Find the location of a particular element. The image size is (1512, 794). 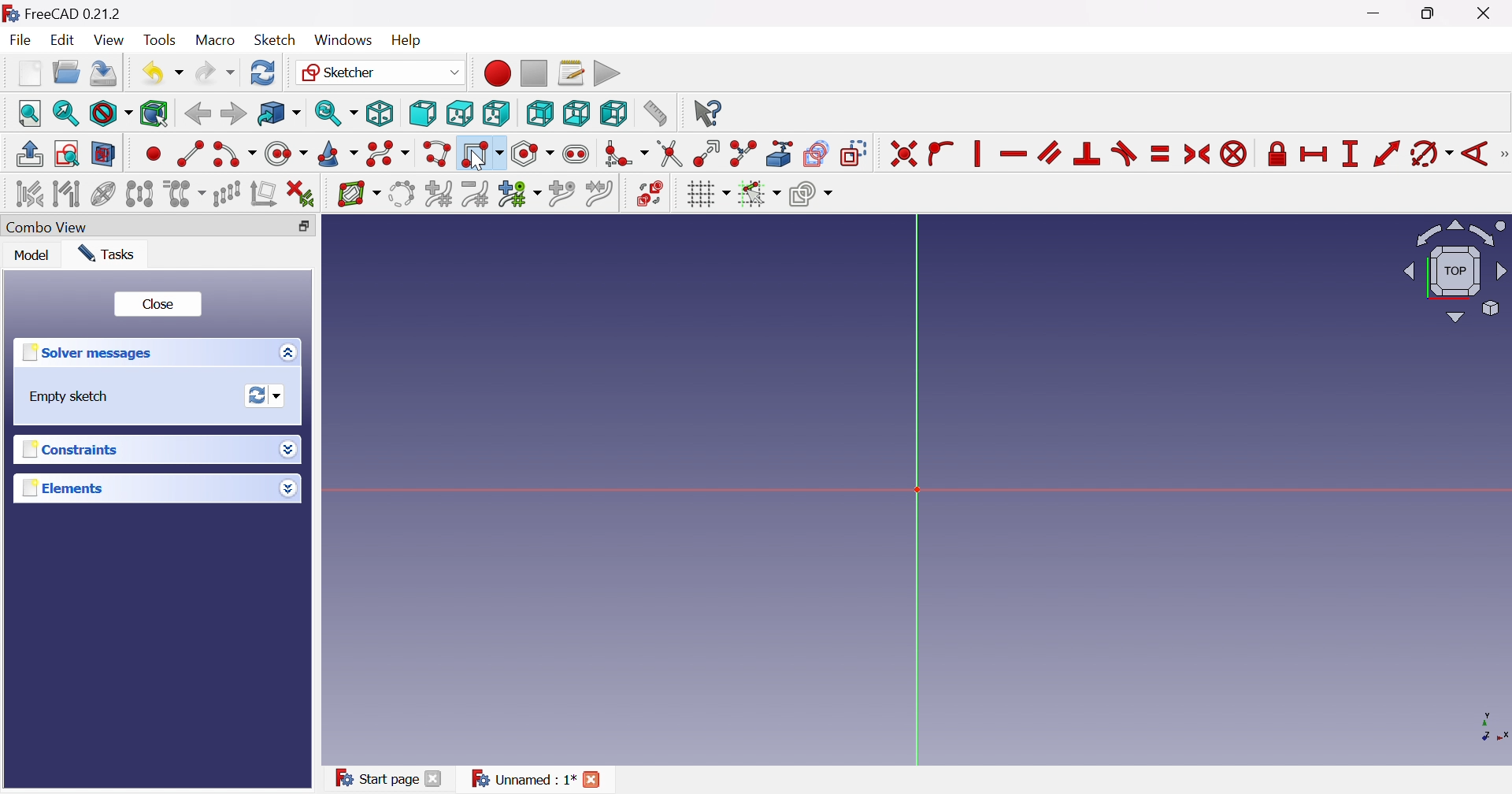

Remove axis alignment is located at coordinates (262, 193).